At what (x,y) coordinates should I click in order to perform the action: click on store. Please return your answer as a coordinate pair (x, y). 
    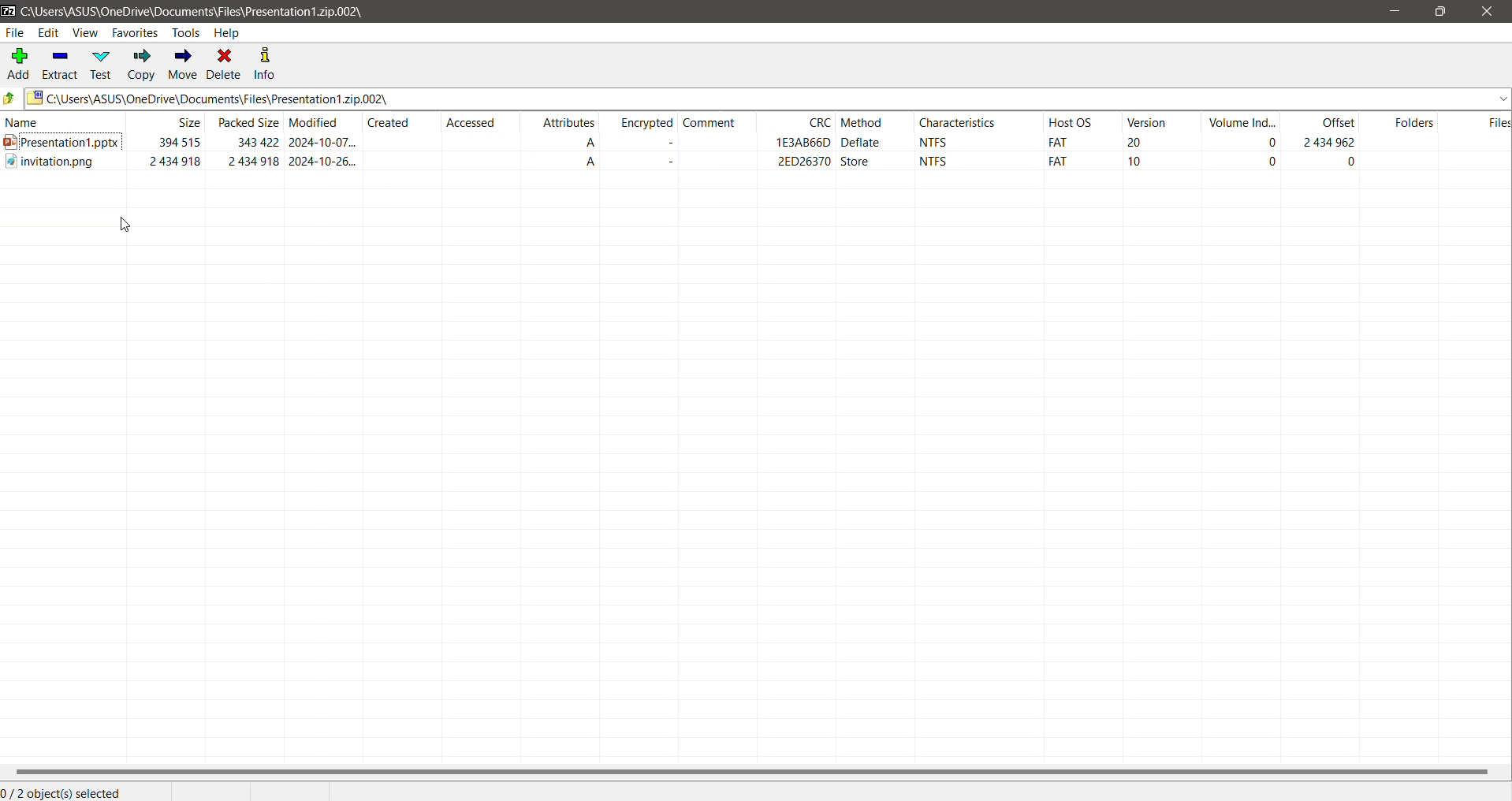
    Looking at the image, I should click on (855, 162).